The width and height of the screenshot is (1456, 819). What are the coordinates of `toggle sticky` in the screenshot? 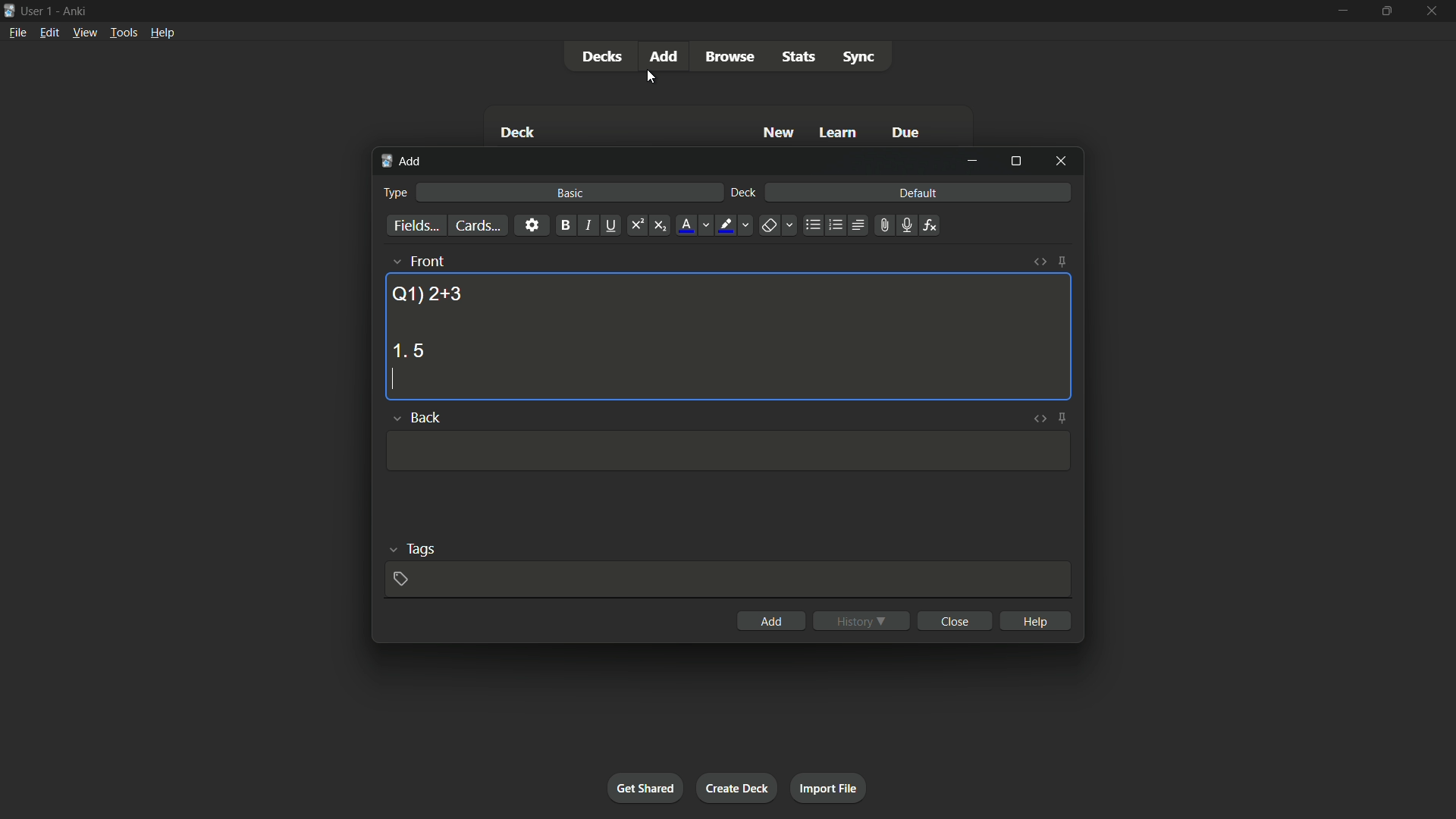 It's located at (1062, 262).